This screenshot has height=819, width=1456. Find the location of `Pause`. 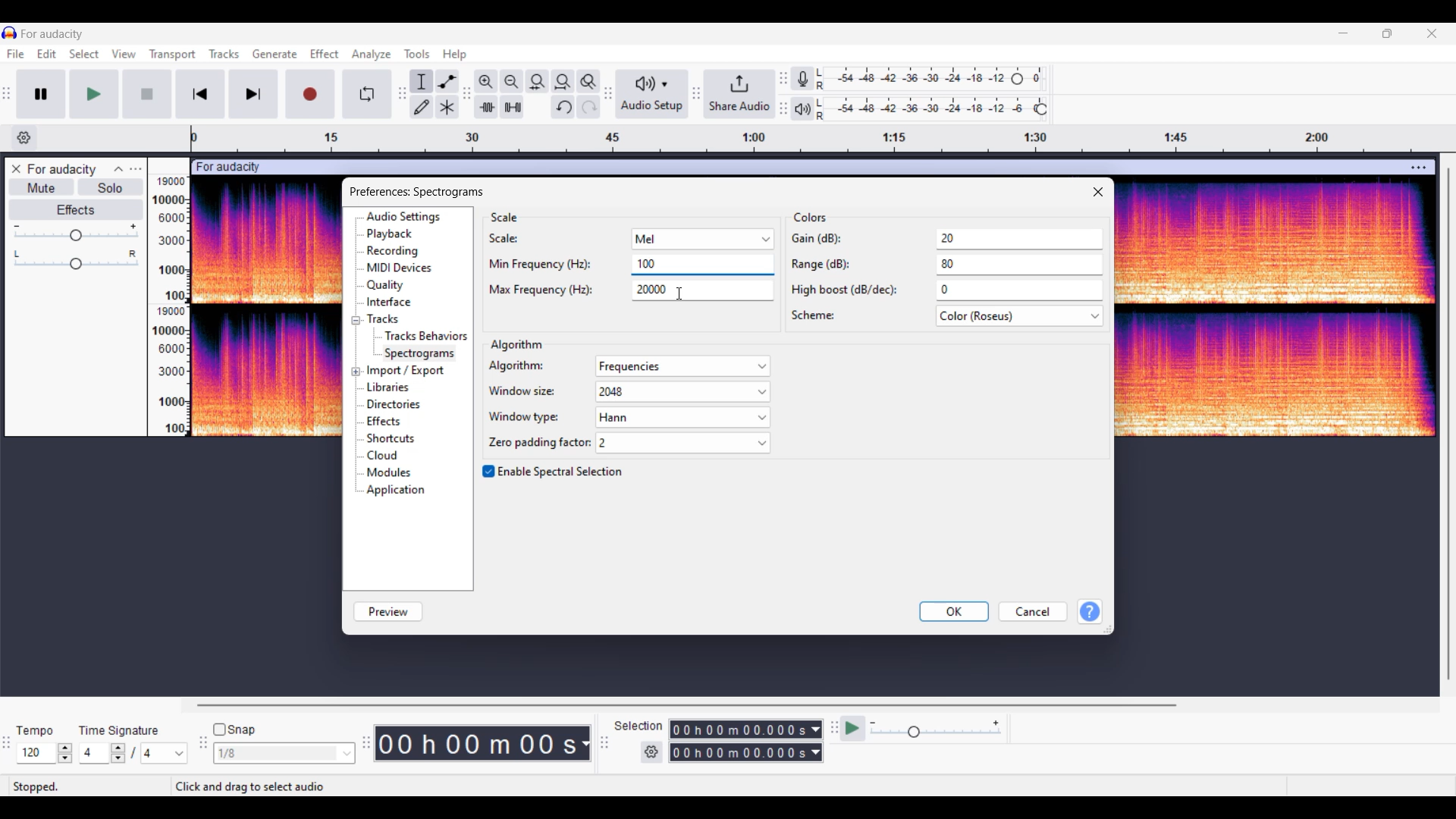

Pause is located at coordinates (42, 94).